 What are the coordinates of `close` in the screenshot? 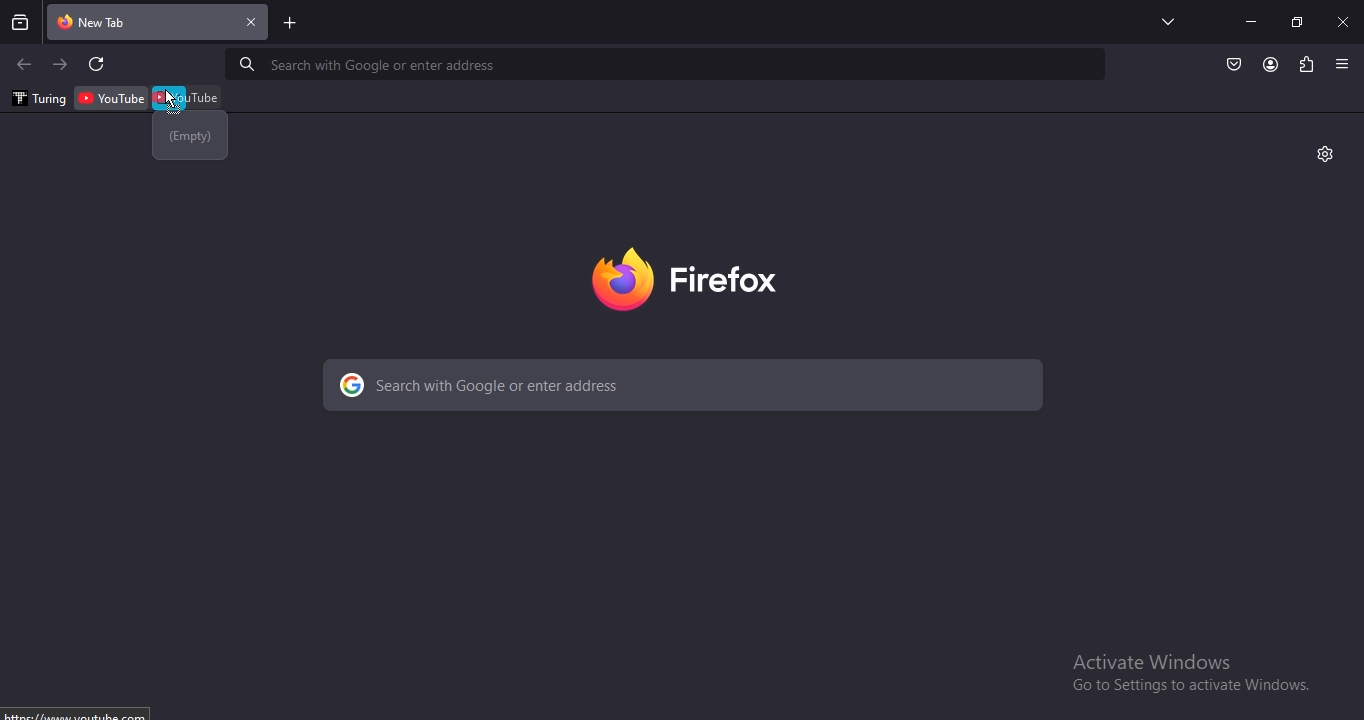 It's located at (1345, 21).